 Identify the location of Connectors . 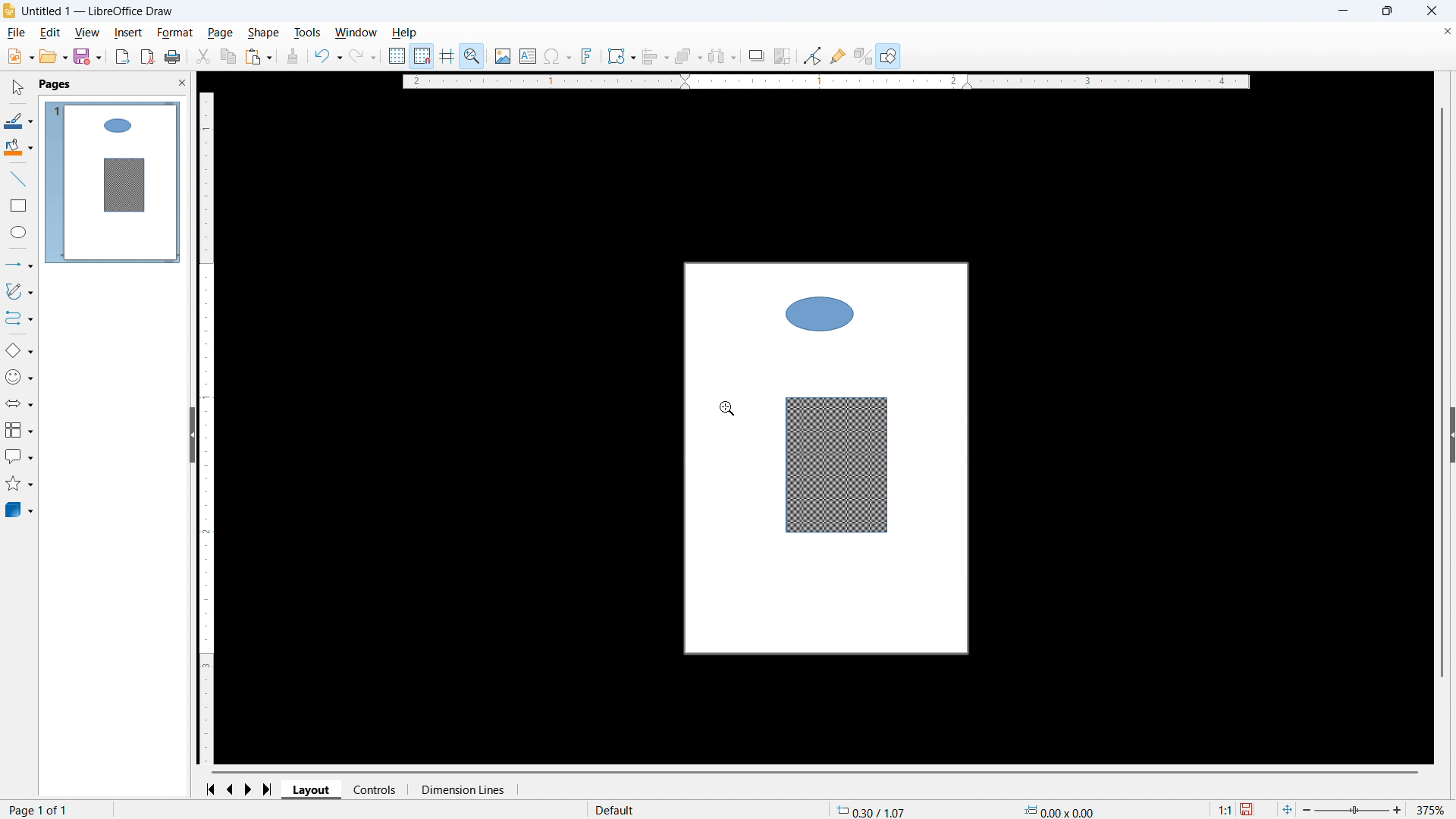
(19, 318).